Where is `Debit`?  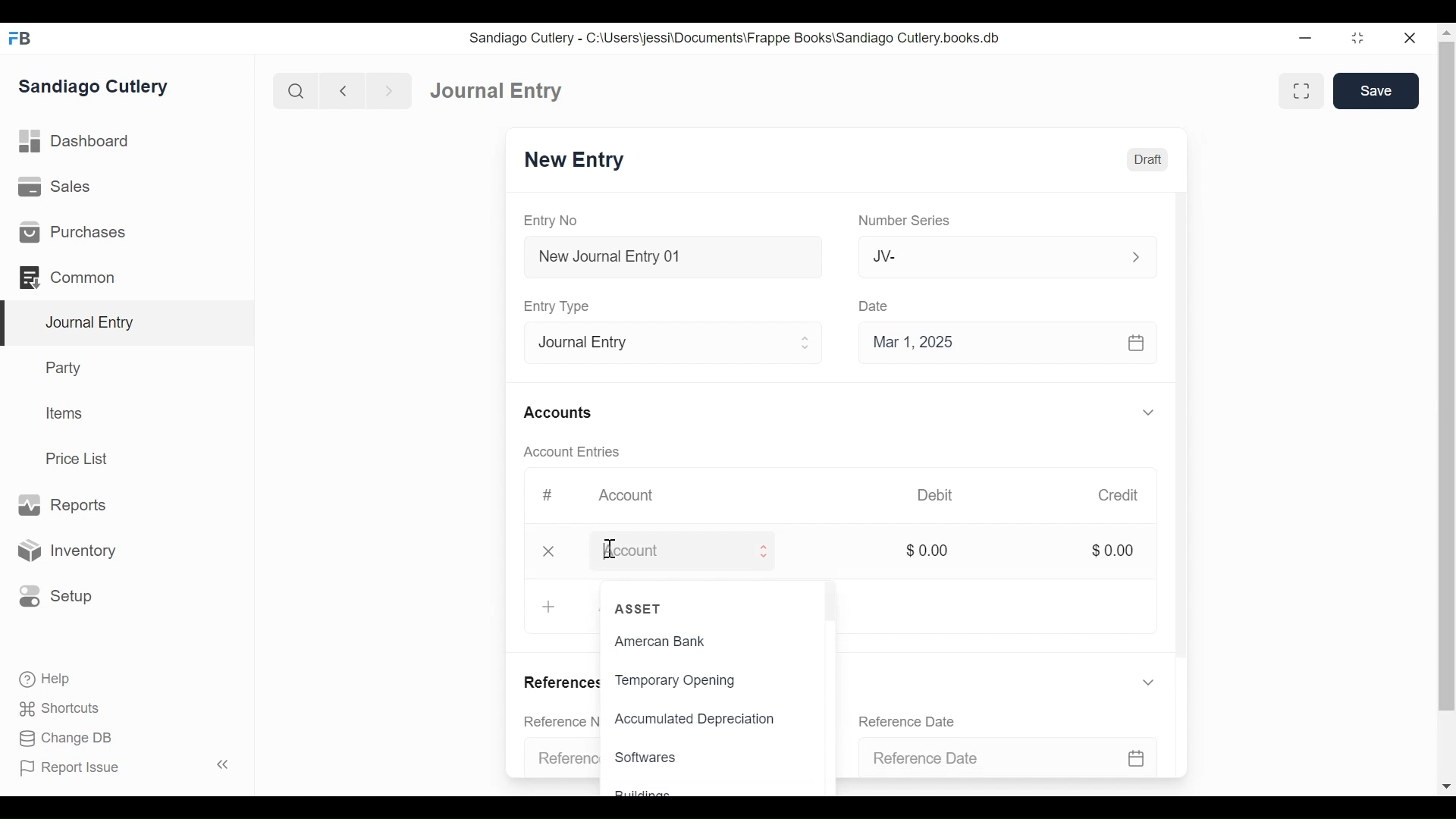
Debit is located at coordinates (948, 495).